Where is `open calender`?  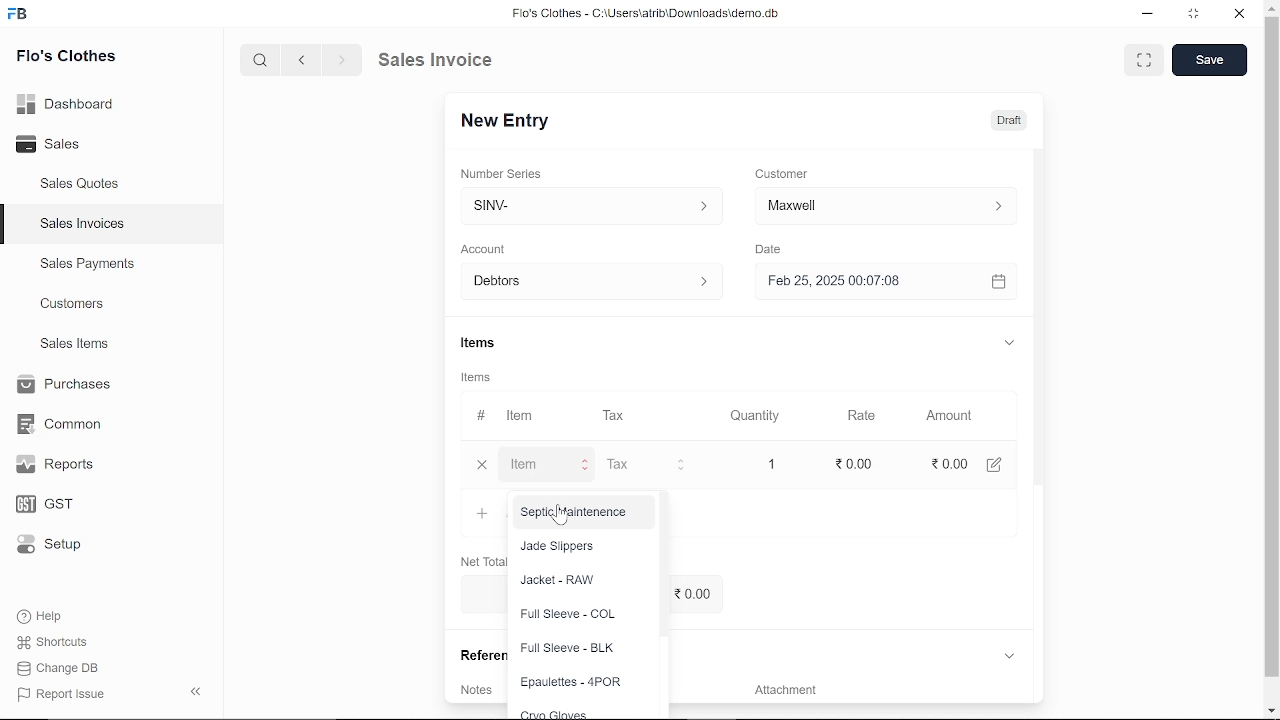
open calender is located at coordinates (1006, 282).